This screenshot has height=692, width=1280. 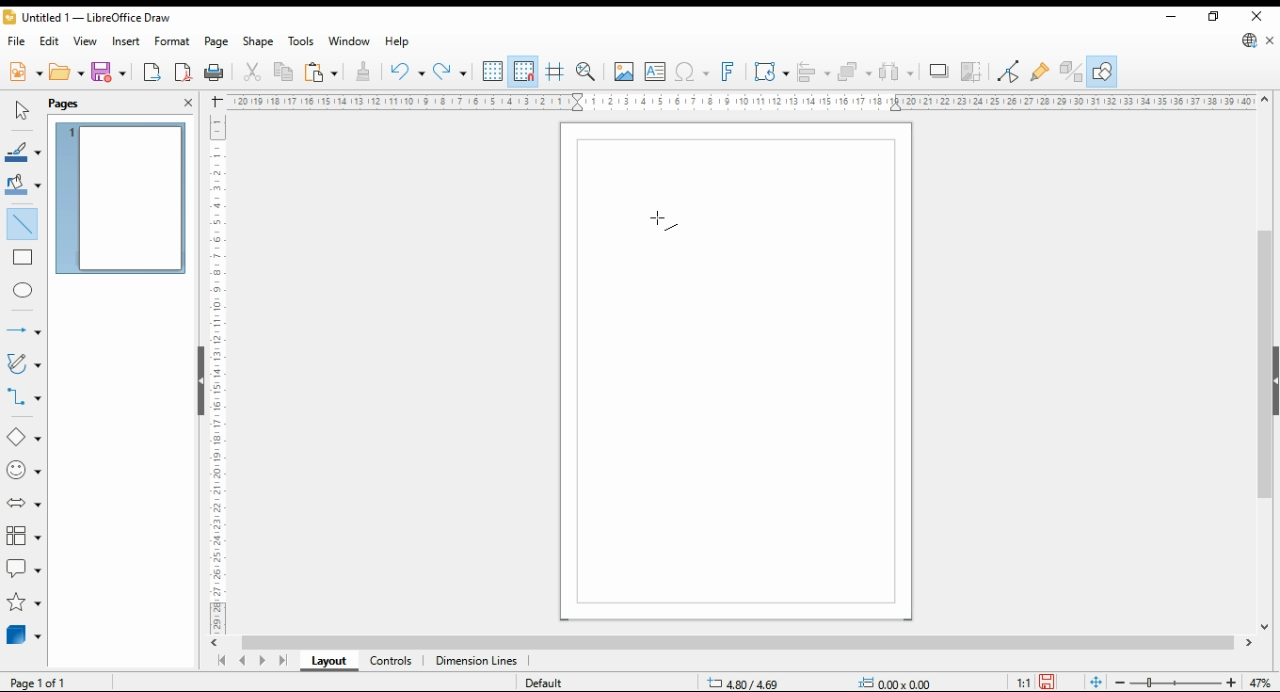 What do you see at coordinates (283, 72) in the screenshot?
I see `copy` at bounding box center [283, 72].